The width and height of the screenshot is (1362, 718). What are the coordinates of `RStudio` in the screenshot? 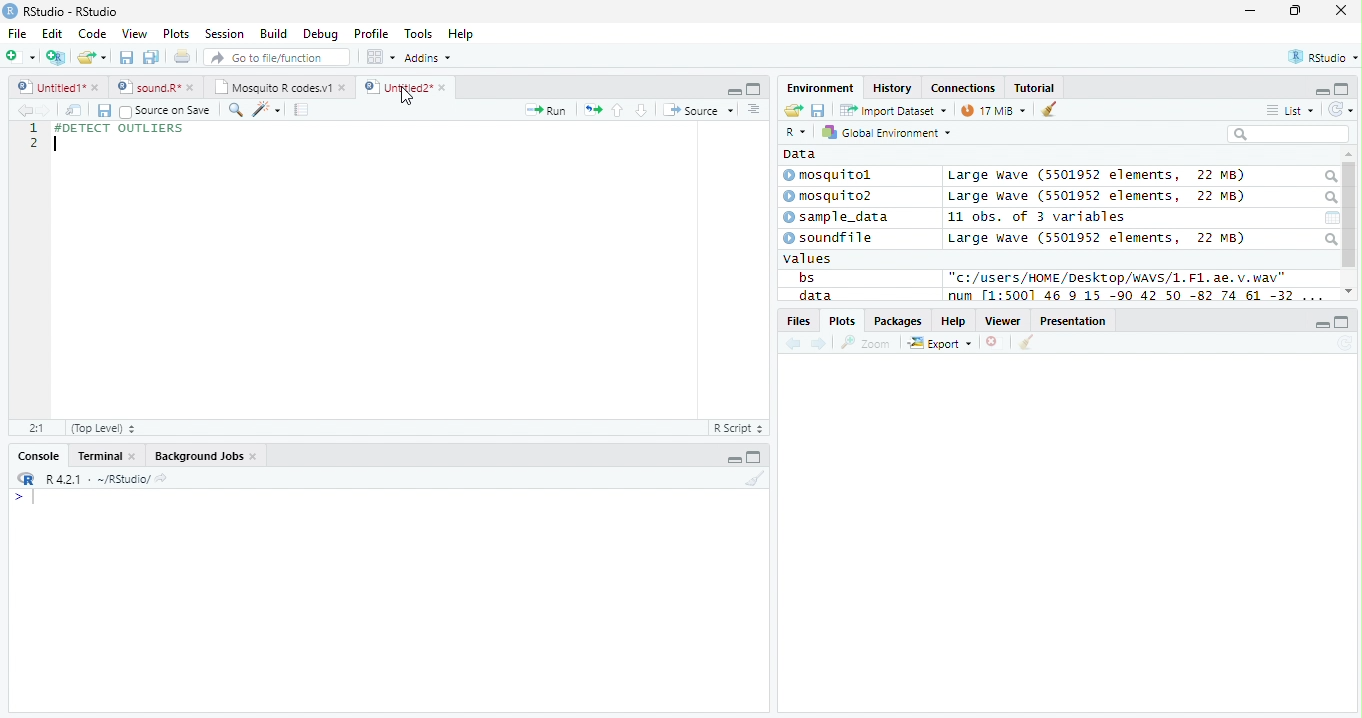 It's located at (1321, 56).